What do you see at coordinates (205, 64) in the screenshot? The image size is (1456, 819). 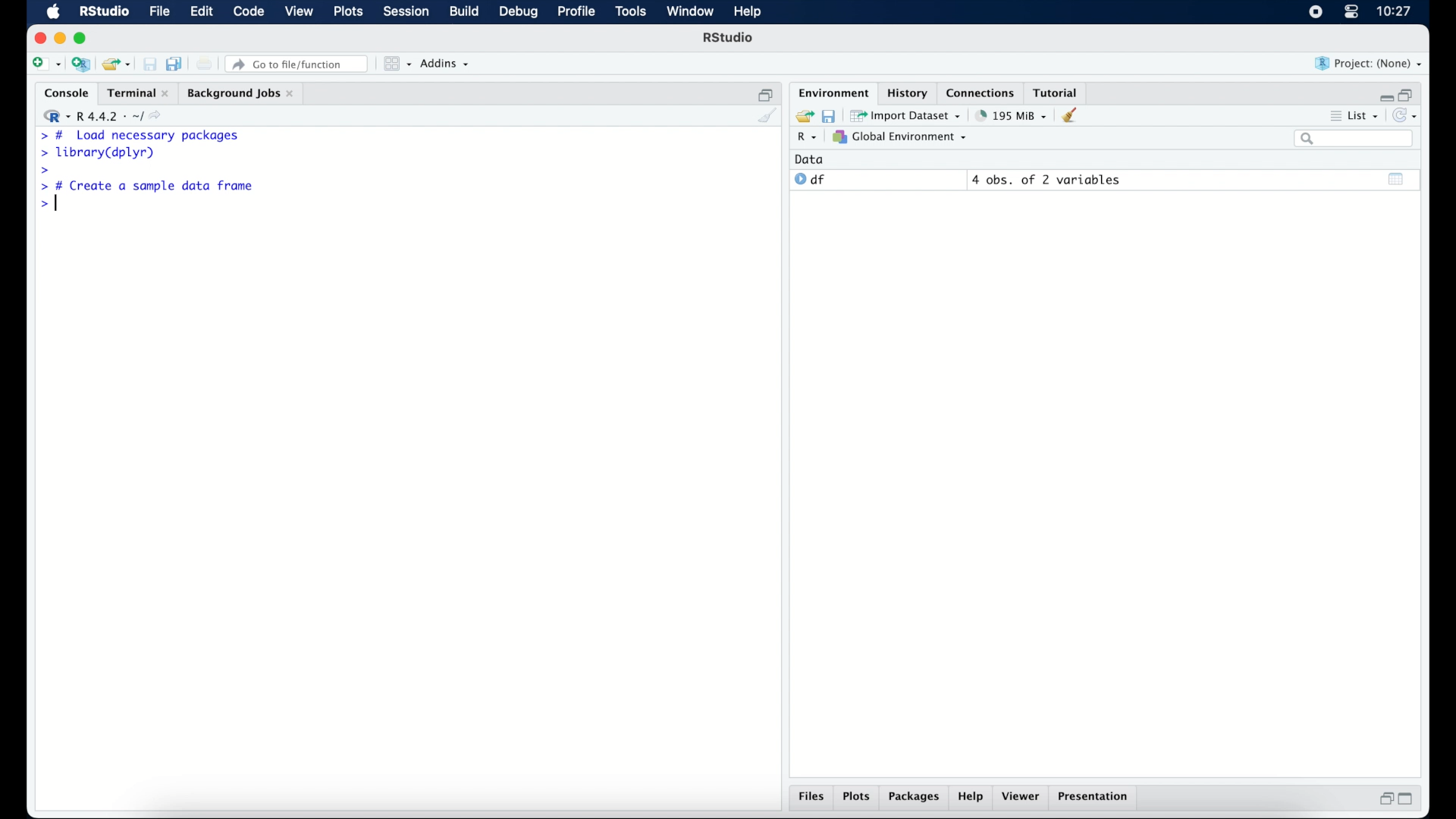 I see `print` at bounding box center [205, 64].